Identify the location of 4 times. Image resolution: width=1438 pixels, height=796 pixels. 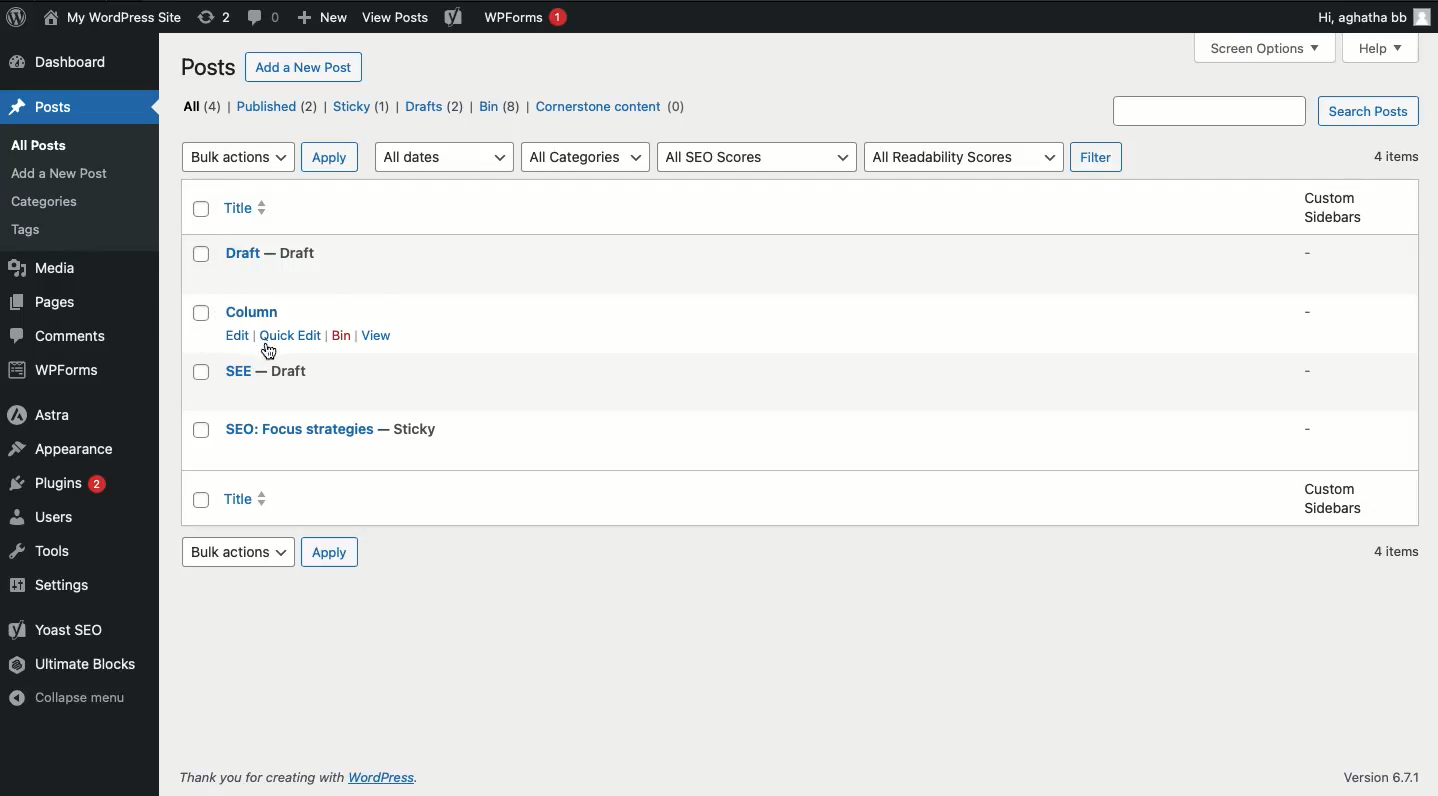
(1400, 553).